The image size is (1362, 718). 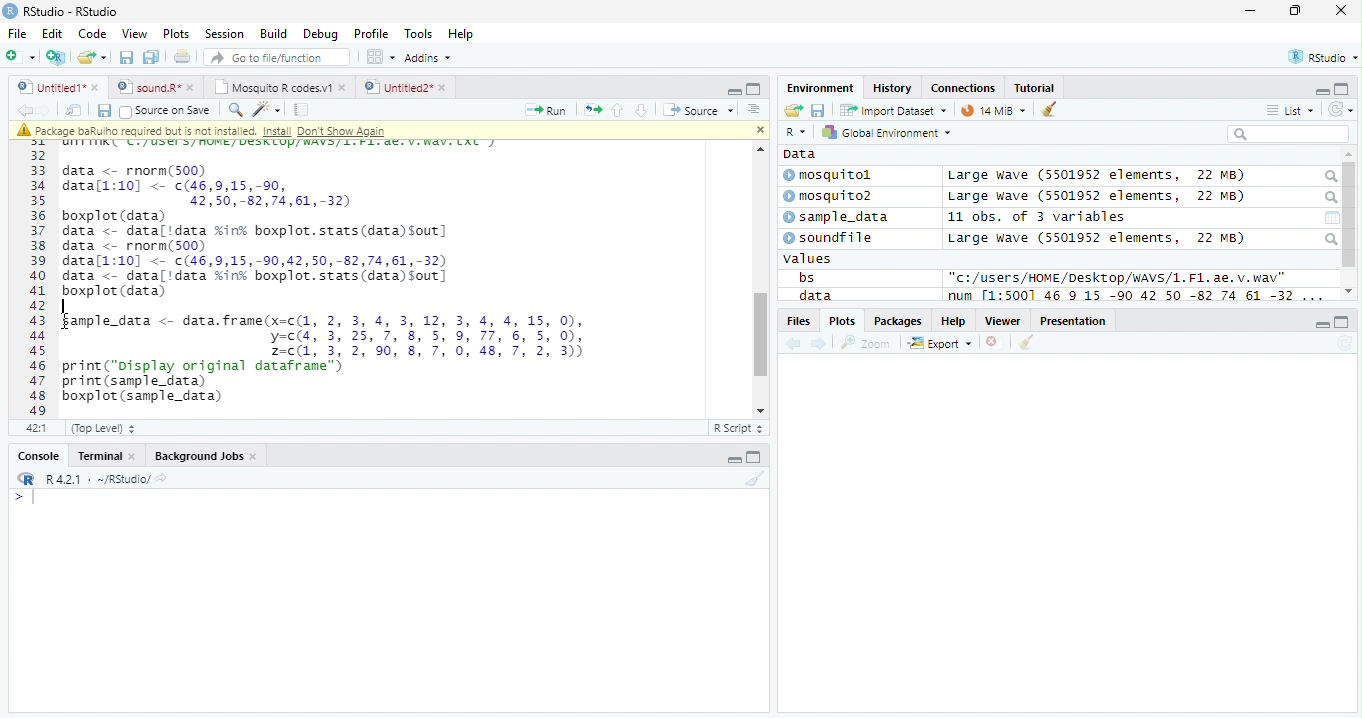 I want to click on sound.R*, so click(x=153, y=86).